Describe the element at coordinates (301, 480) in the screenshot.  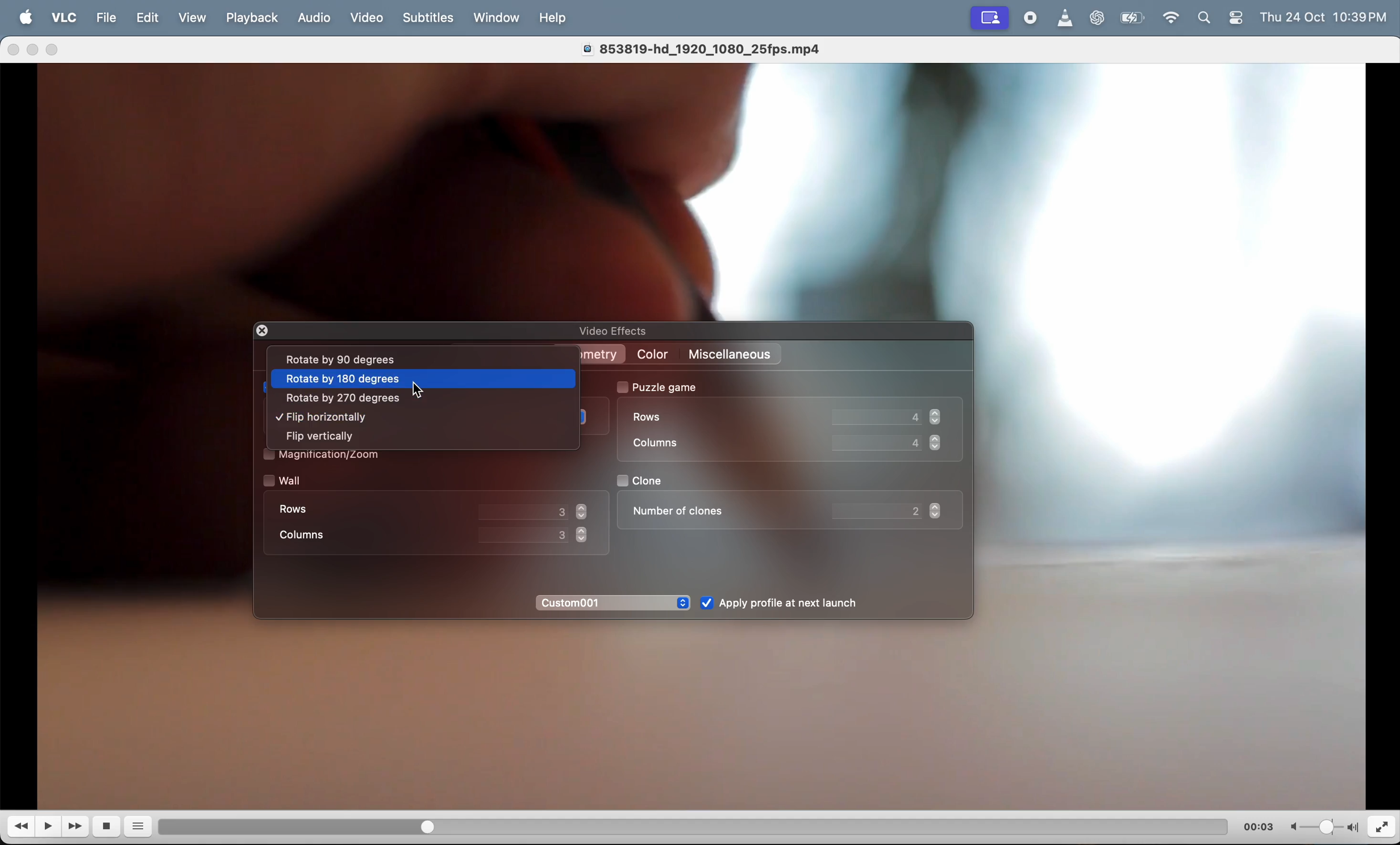
I see `wall` at that location.